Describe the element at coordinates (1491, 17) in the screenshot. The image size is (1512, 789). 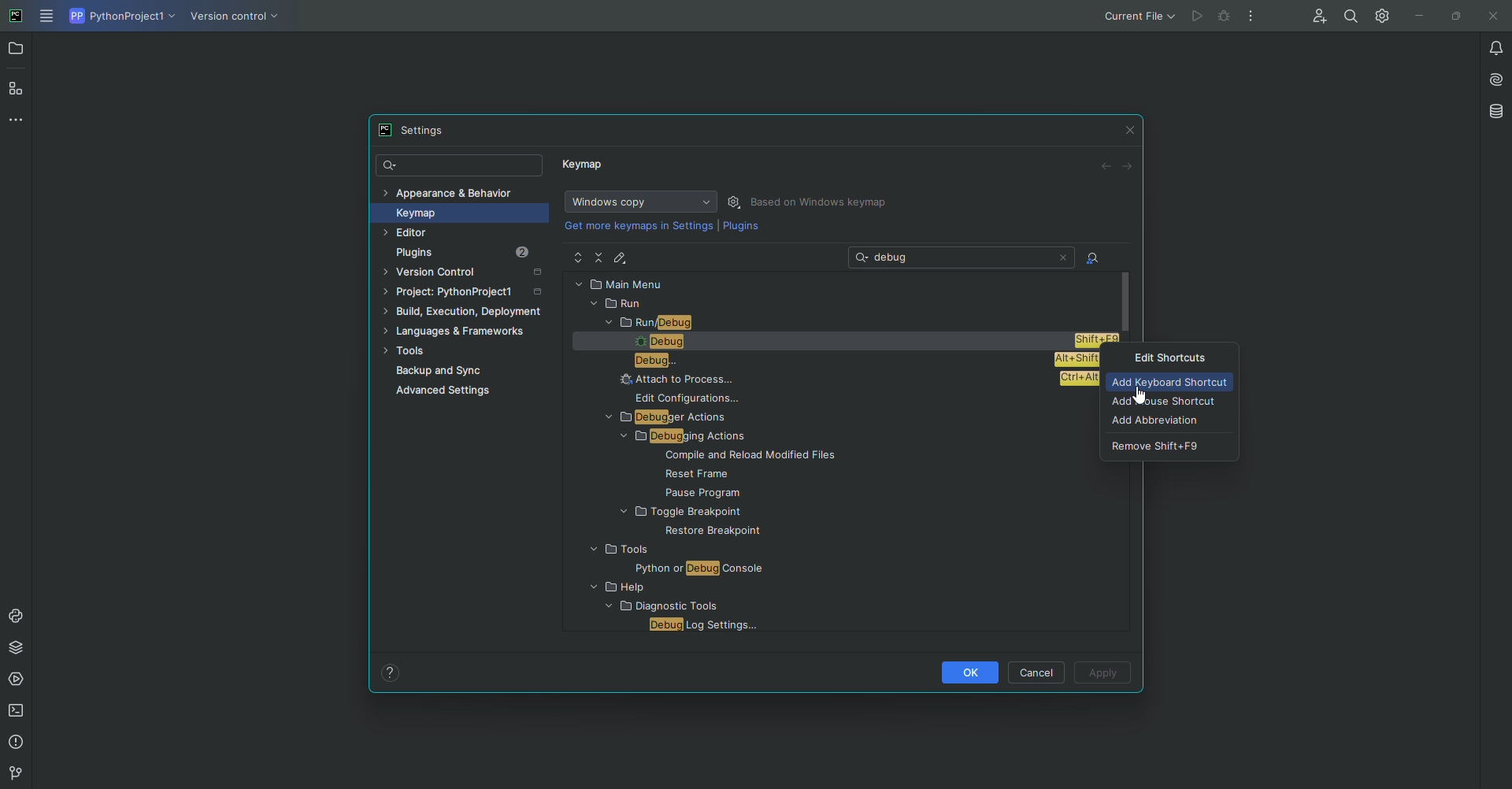
I see `Close` at that location.